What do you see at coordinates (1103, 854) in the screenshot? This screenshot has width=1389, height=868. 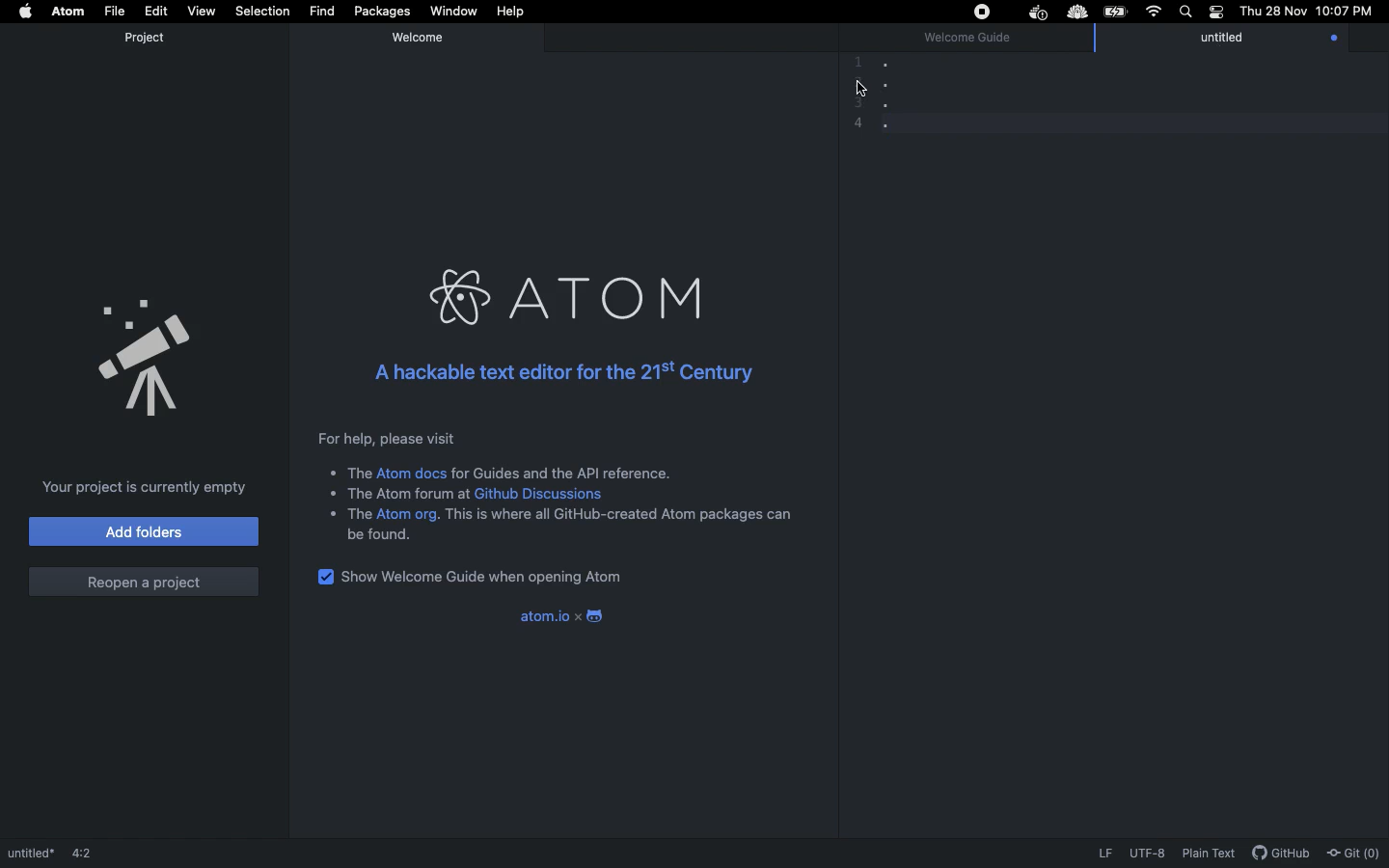 I see `LF` at bounding box center [1103, 854].